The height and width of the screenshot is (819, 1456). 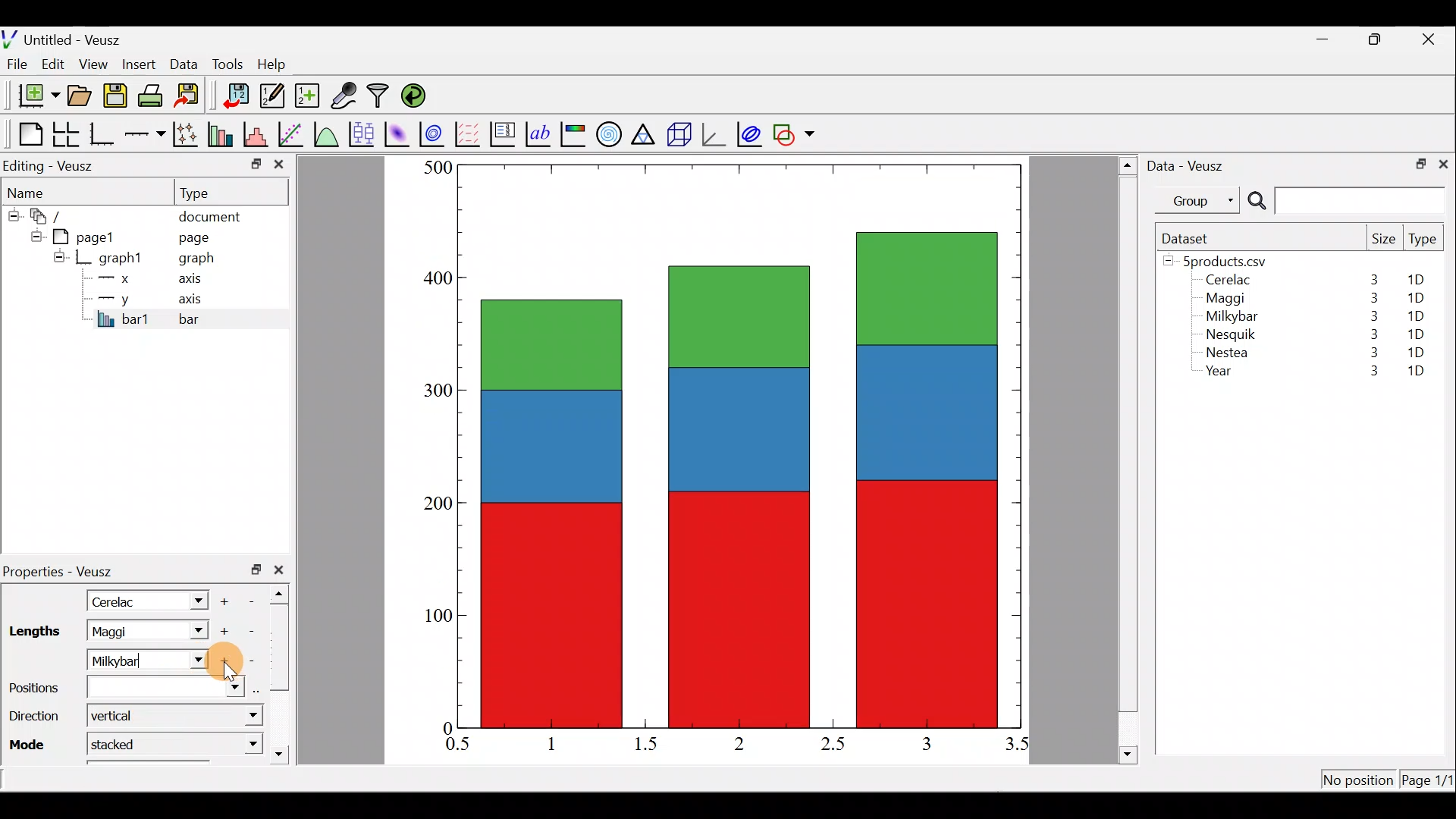 I want to click on Remove item, so click(x=252, y=660).